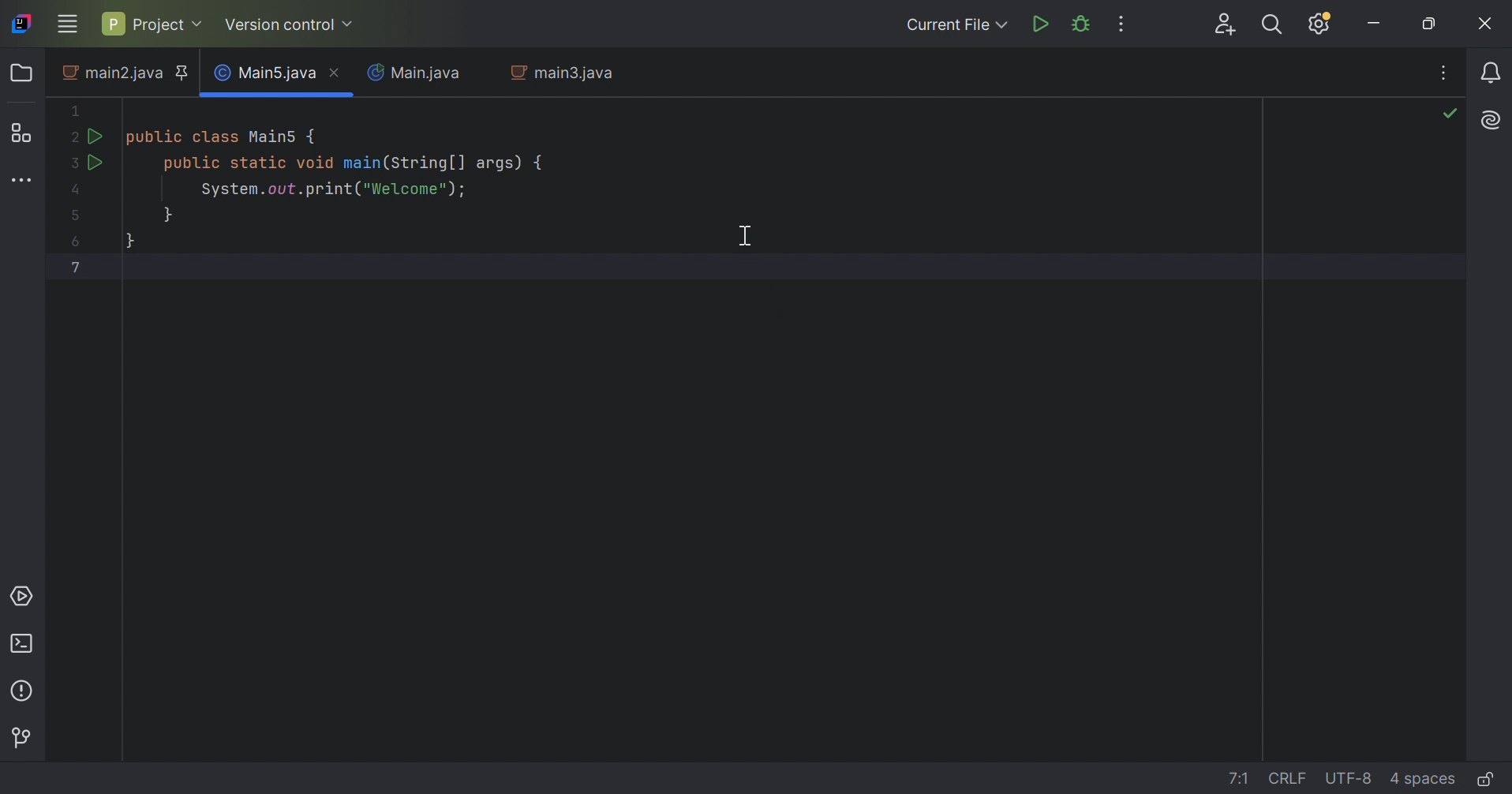  Describe the element at coordinates (23, 597) in the screenshot. I see `Services` at that location.